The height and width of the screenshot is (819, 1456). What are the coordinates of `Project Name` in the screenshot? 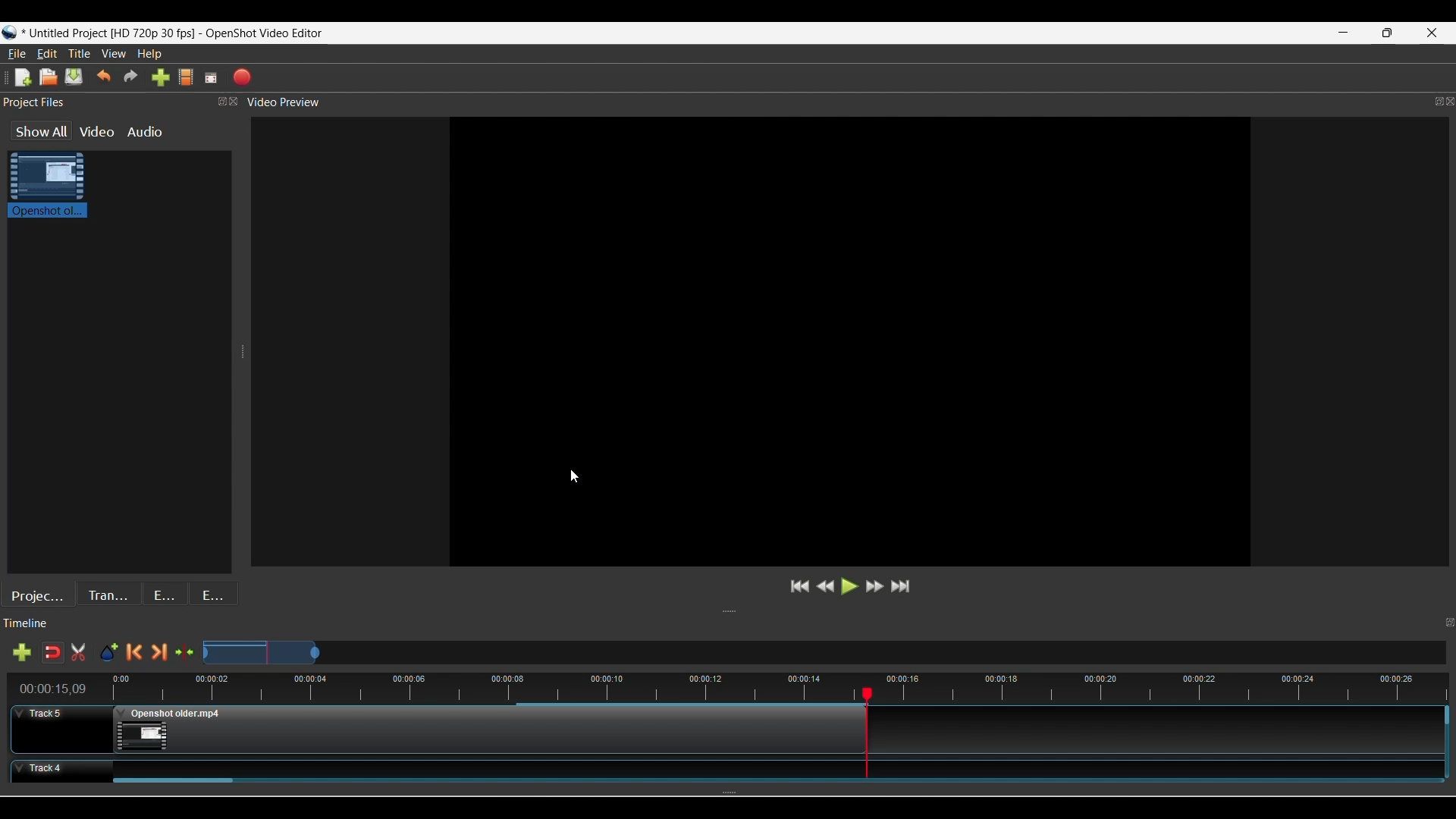 It's located at (99, 34).